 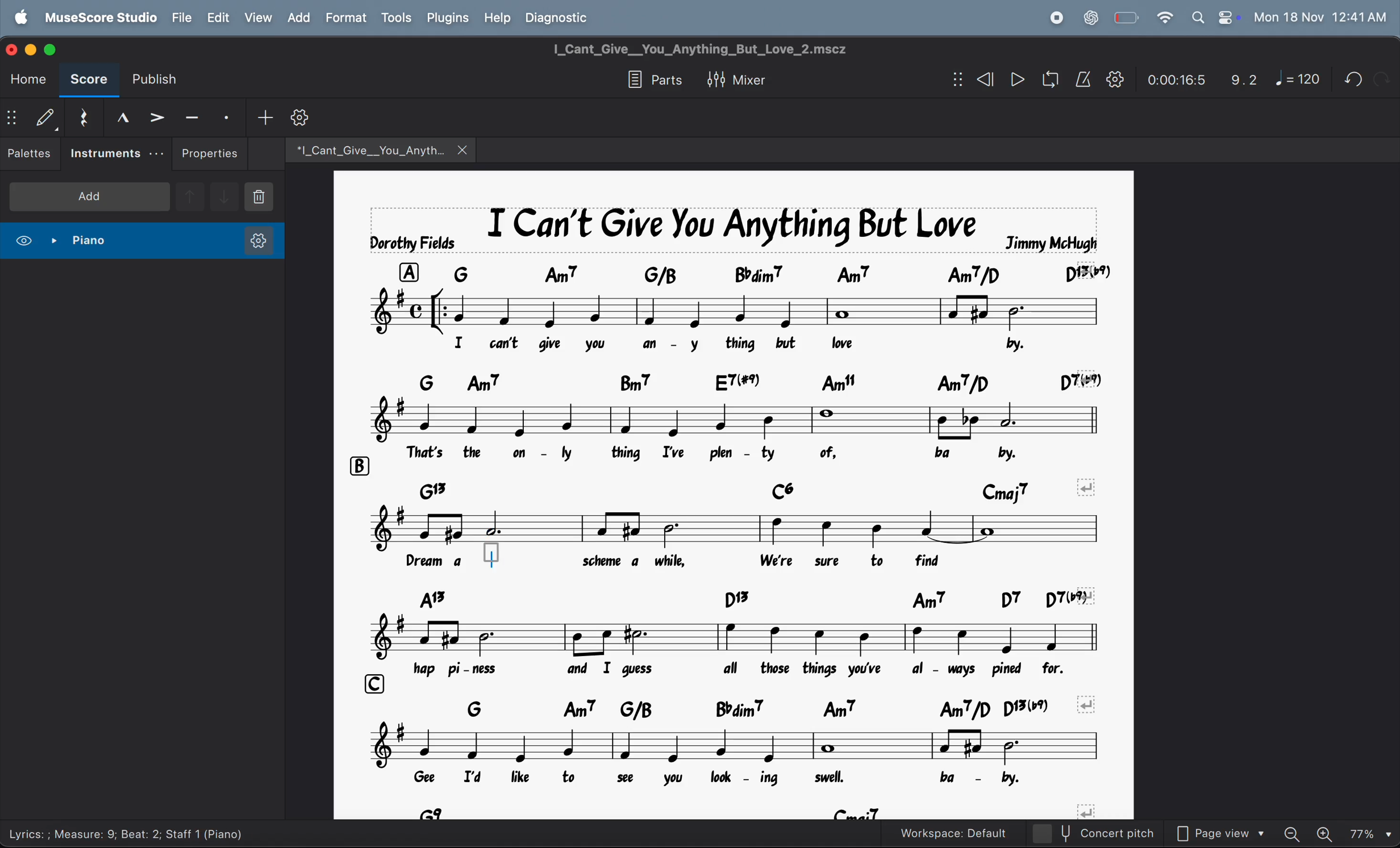 I want to click on close, so click(x=14, y=51).